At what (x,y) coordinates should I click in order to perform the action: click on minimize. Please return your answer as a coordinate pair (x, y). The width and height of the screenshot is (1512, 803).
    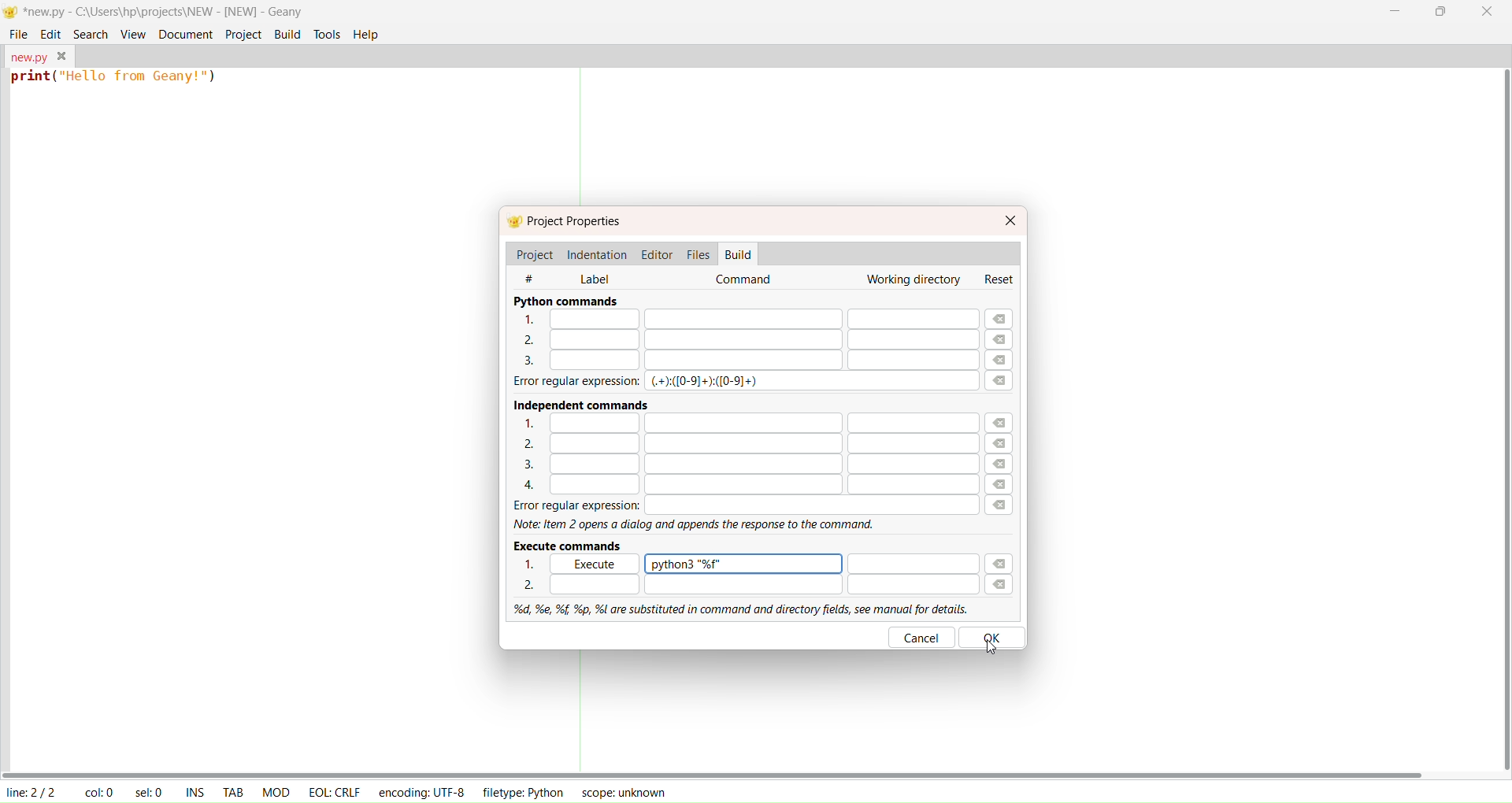
    Looking at the image, I should click on (1394, 10).